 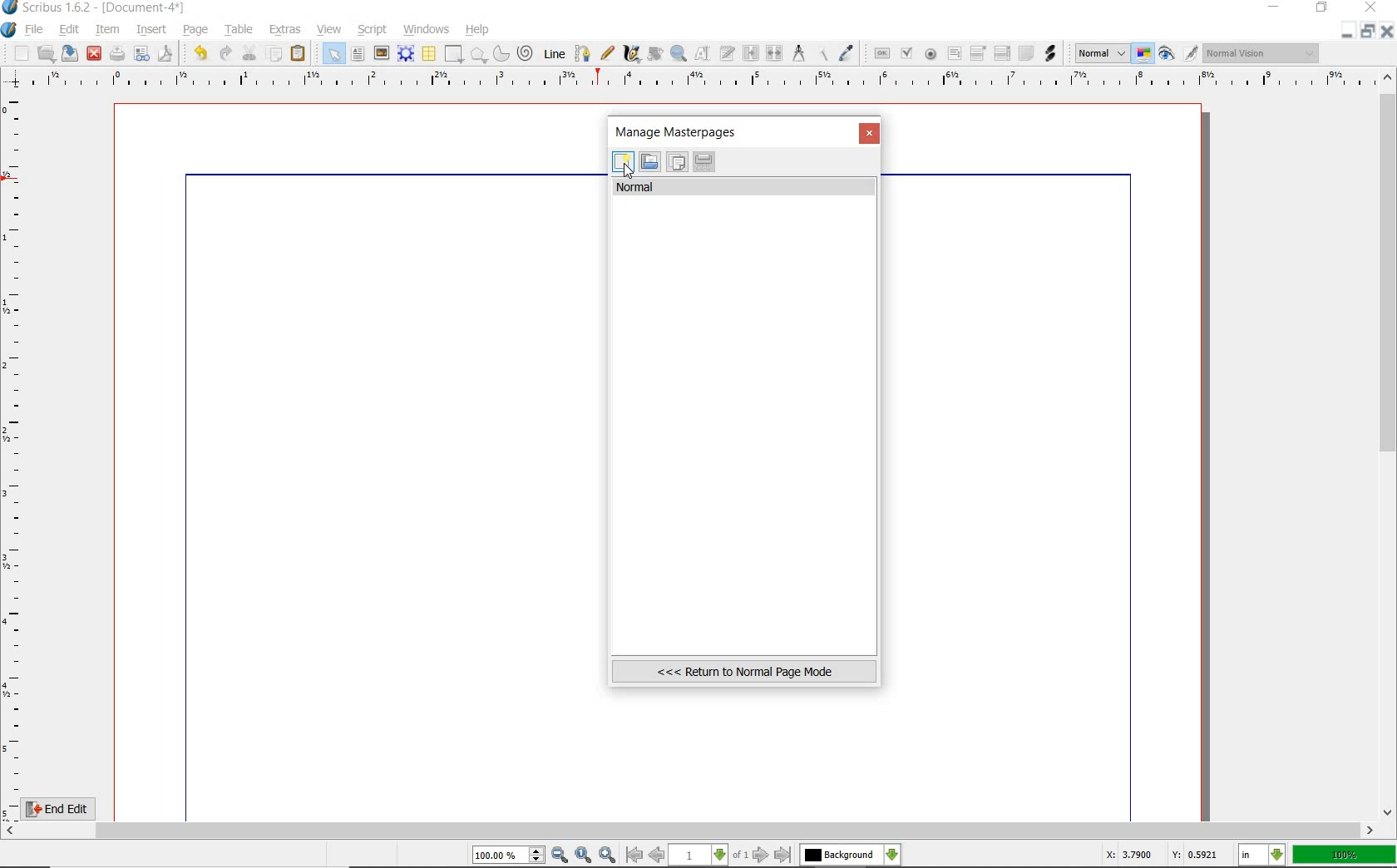 What do you see at coordinates (71, 53) in the screenshot?
I see `save` at bounding box center [71, 53].